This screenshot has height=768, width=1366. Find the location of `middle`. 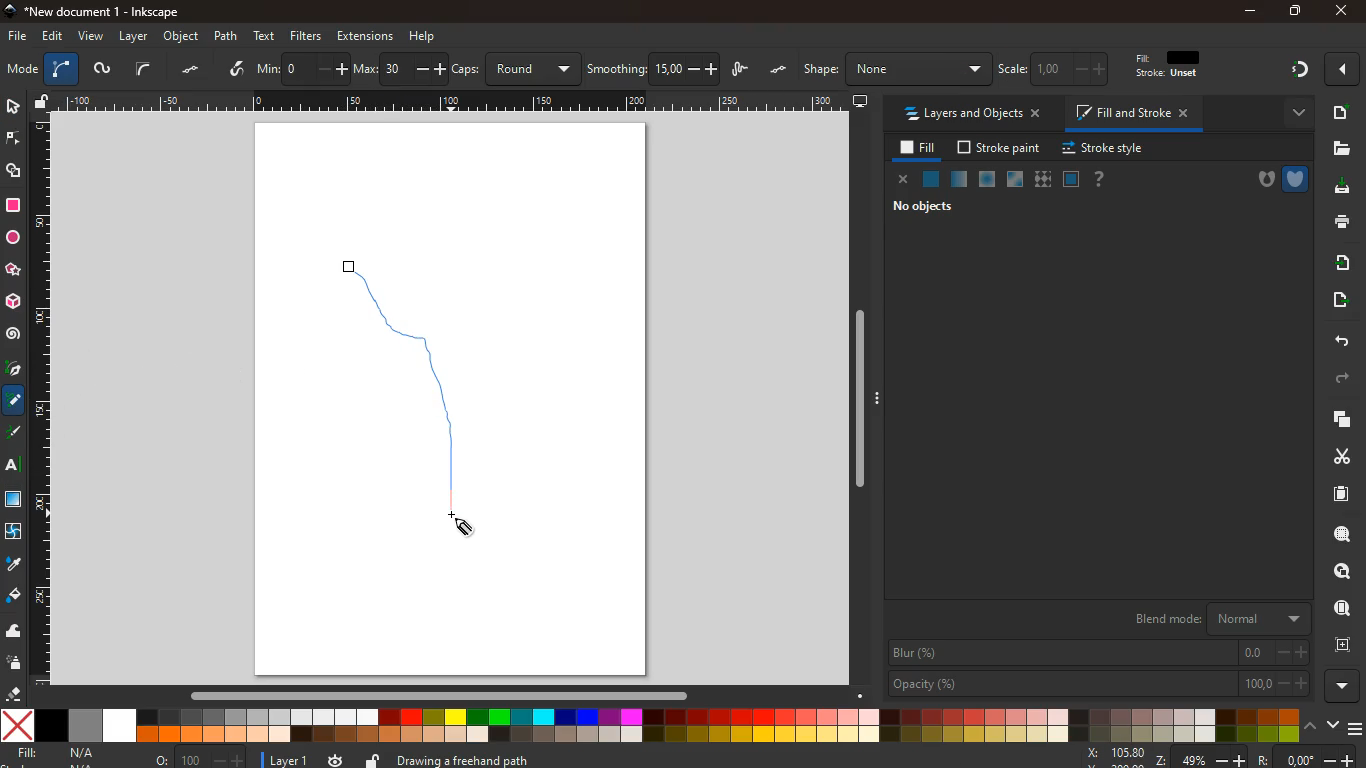

middle is located at coordinates (309, 71).